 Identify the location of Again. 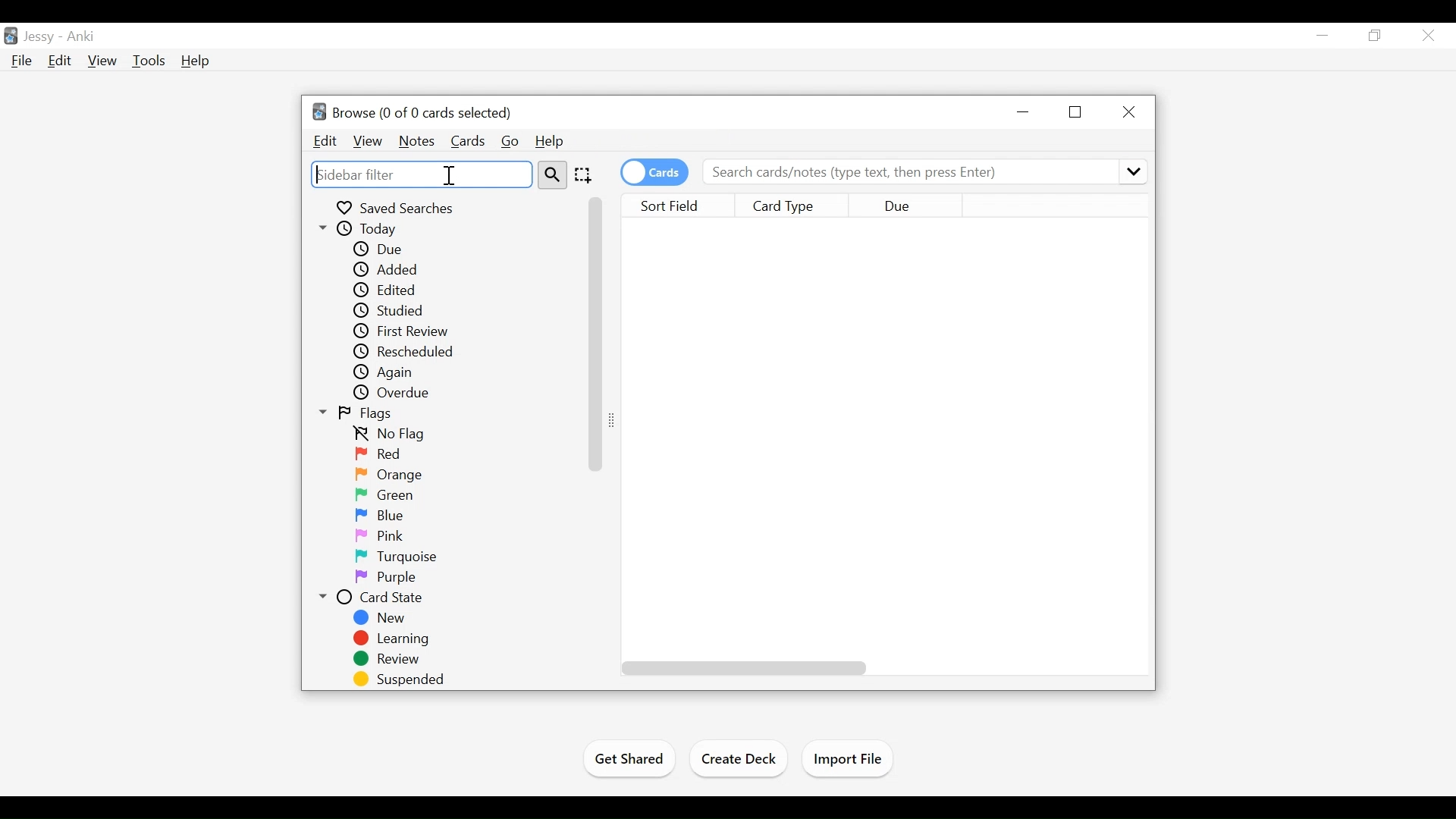
(388, 373).